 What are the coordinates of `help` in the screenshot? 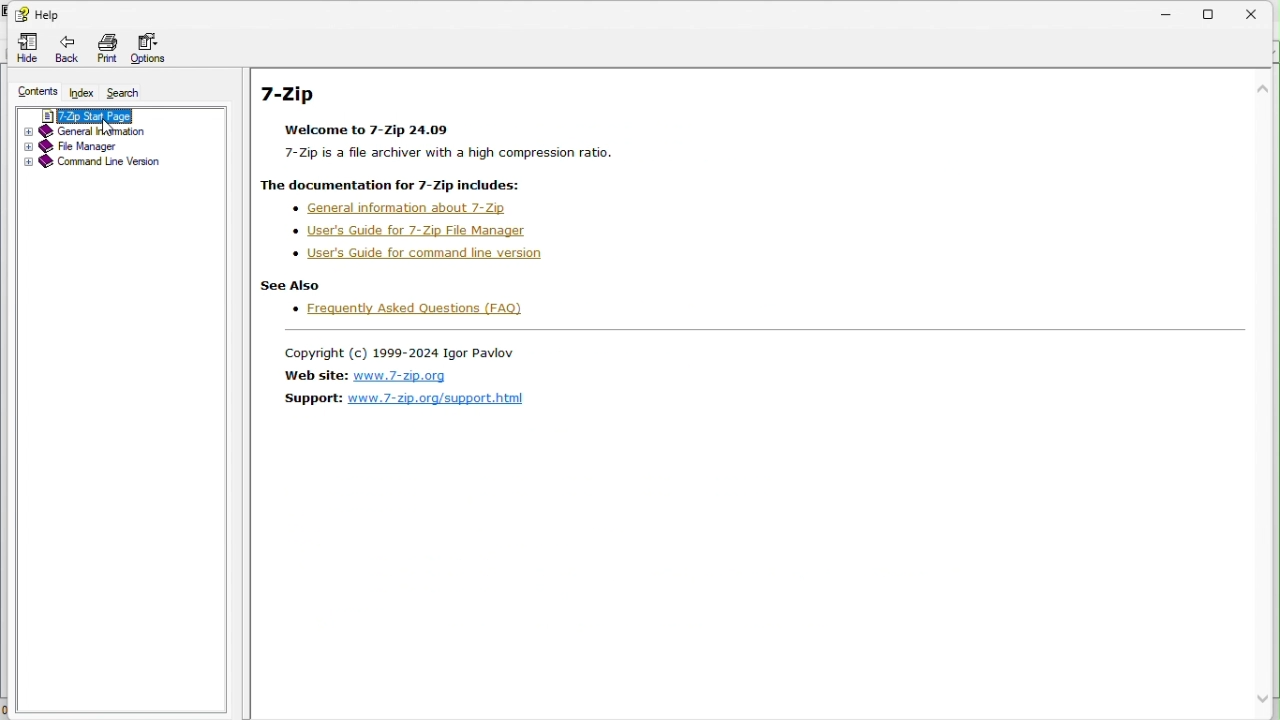 It's located at (36, 13).